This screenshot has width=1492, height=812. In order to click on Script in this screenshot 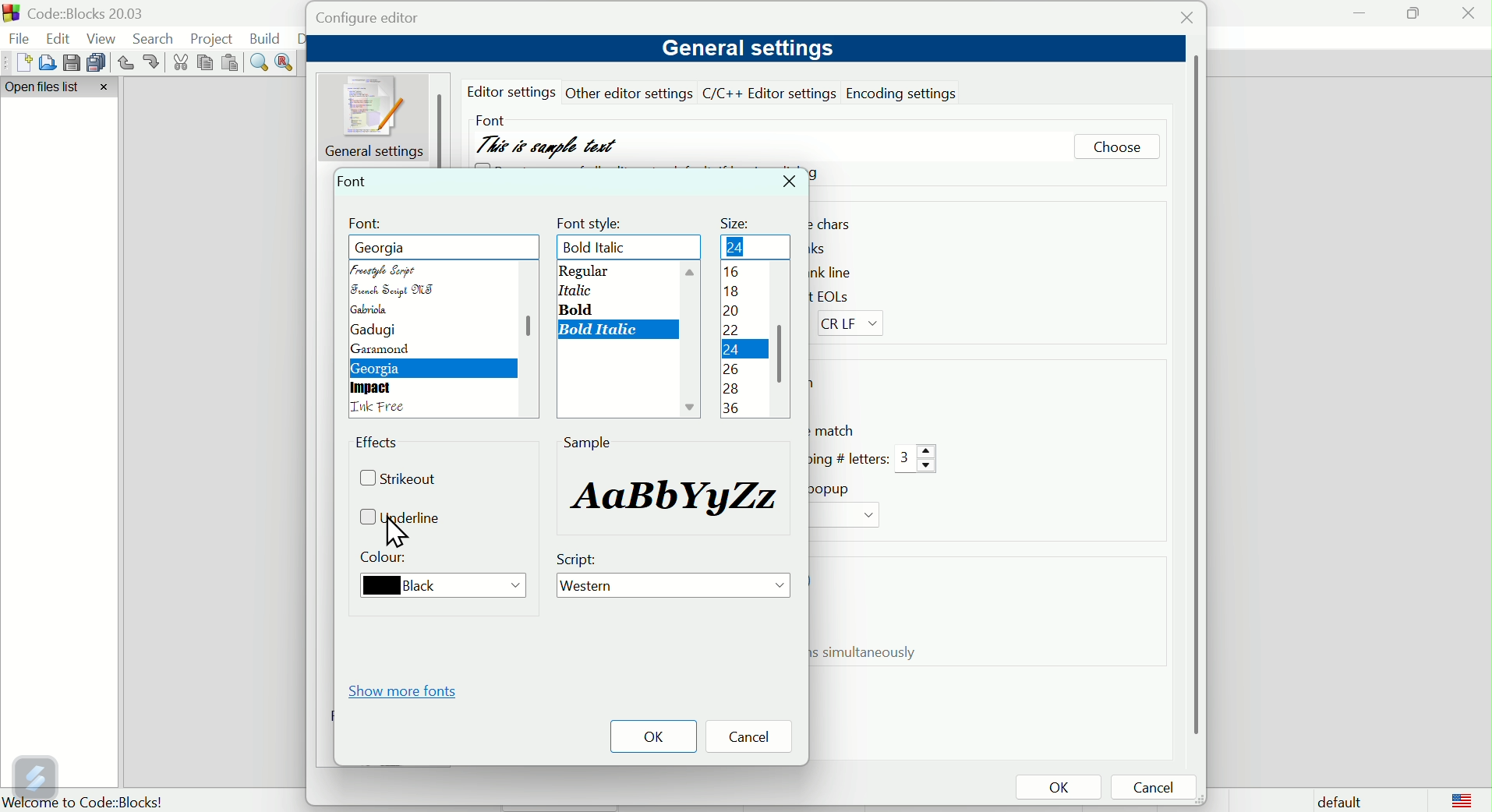, I will do `click(581, 560)`.